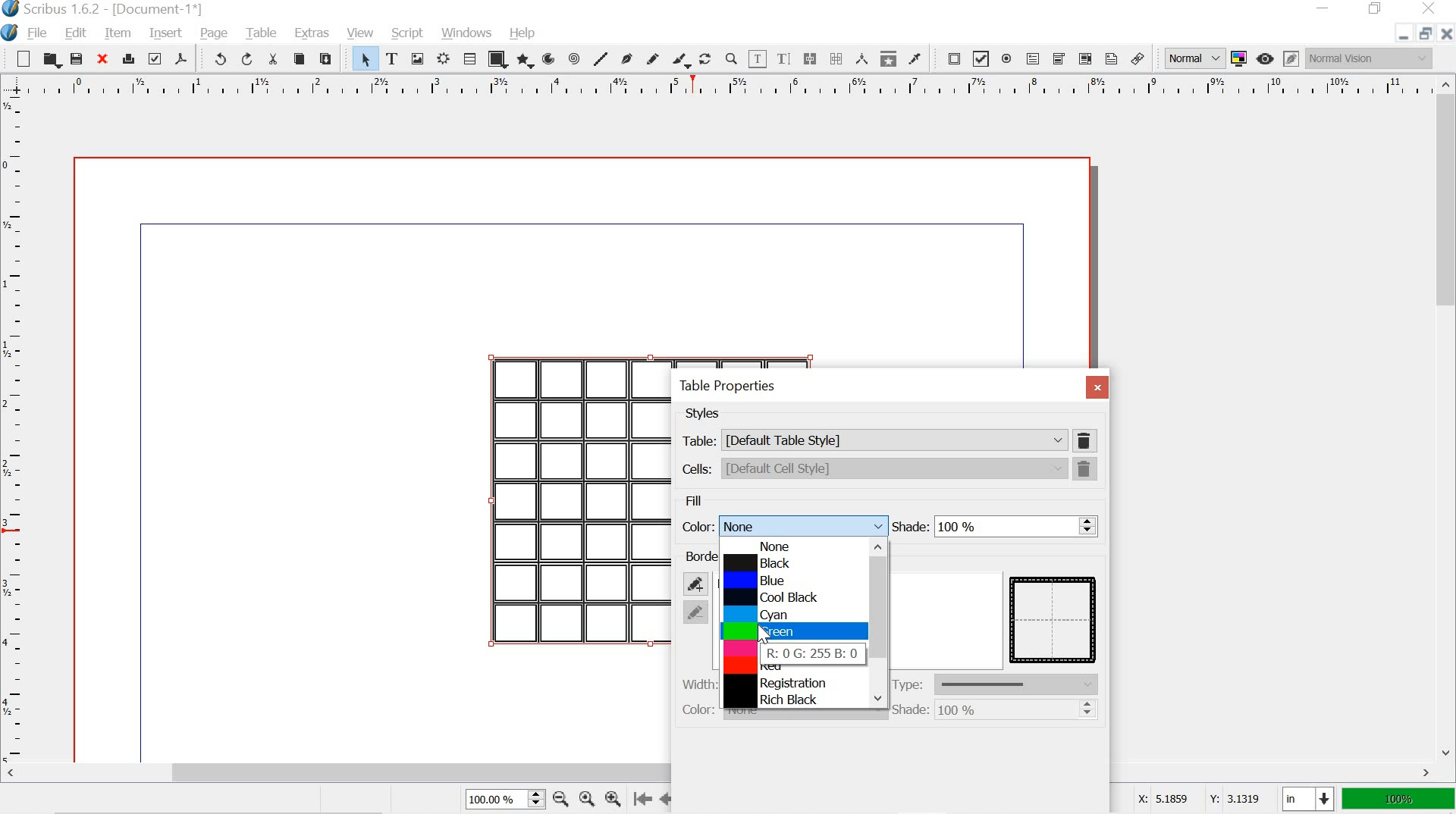 The width and height of the screenshot is (1456, 814). Describe the element at coordinates (809, 59) in the screenshot. I see `link text frames` at that location.